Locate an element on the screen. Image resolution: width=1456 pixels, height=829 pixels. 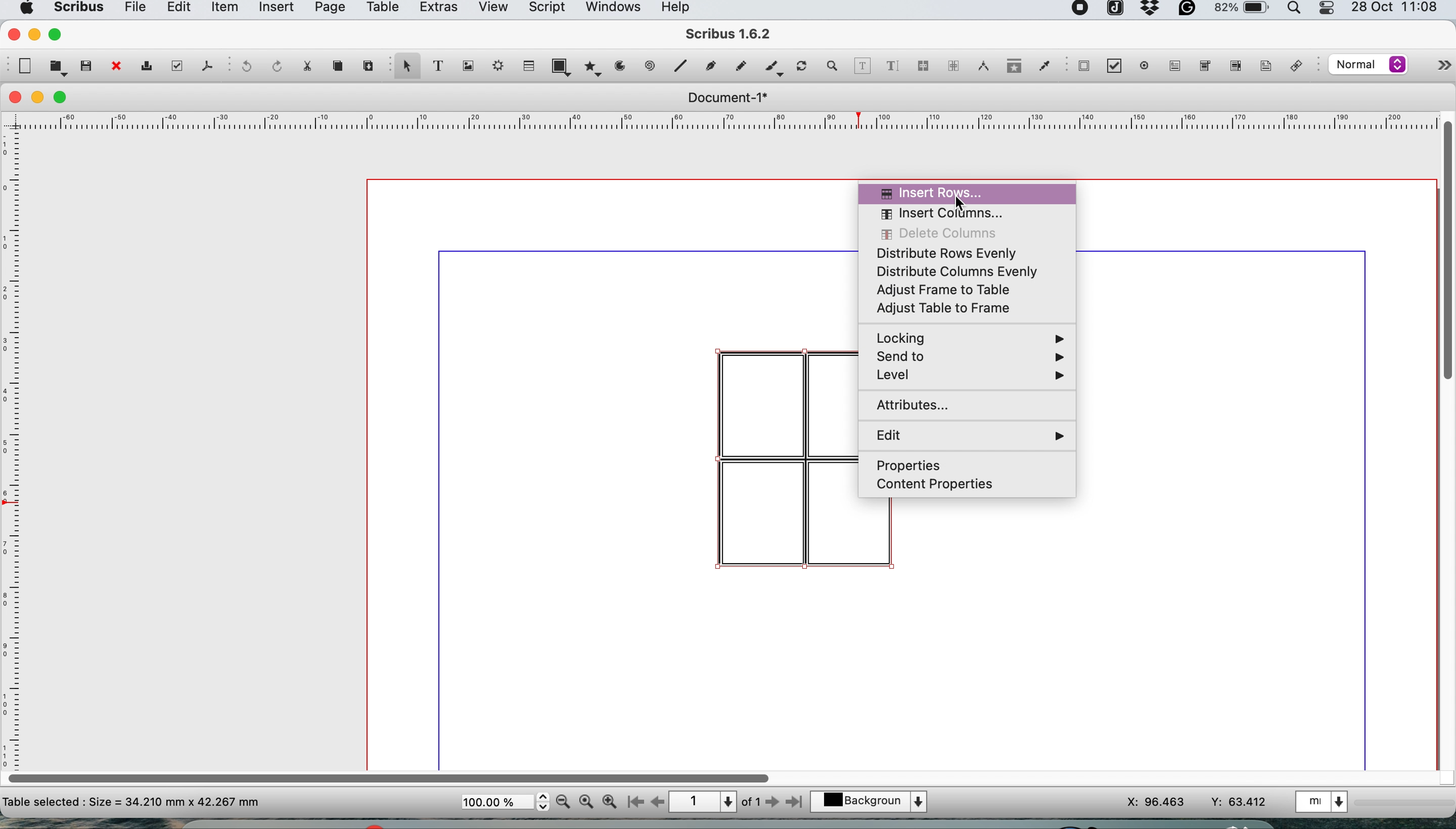
go to last page is located at coordinates (797, 801).